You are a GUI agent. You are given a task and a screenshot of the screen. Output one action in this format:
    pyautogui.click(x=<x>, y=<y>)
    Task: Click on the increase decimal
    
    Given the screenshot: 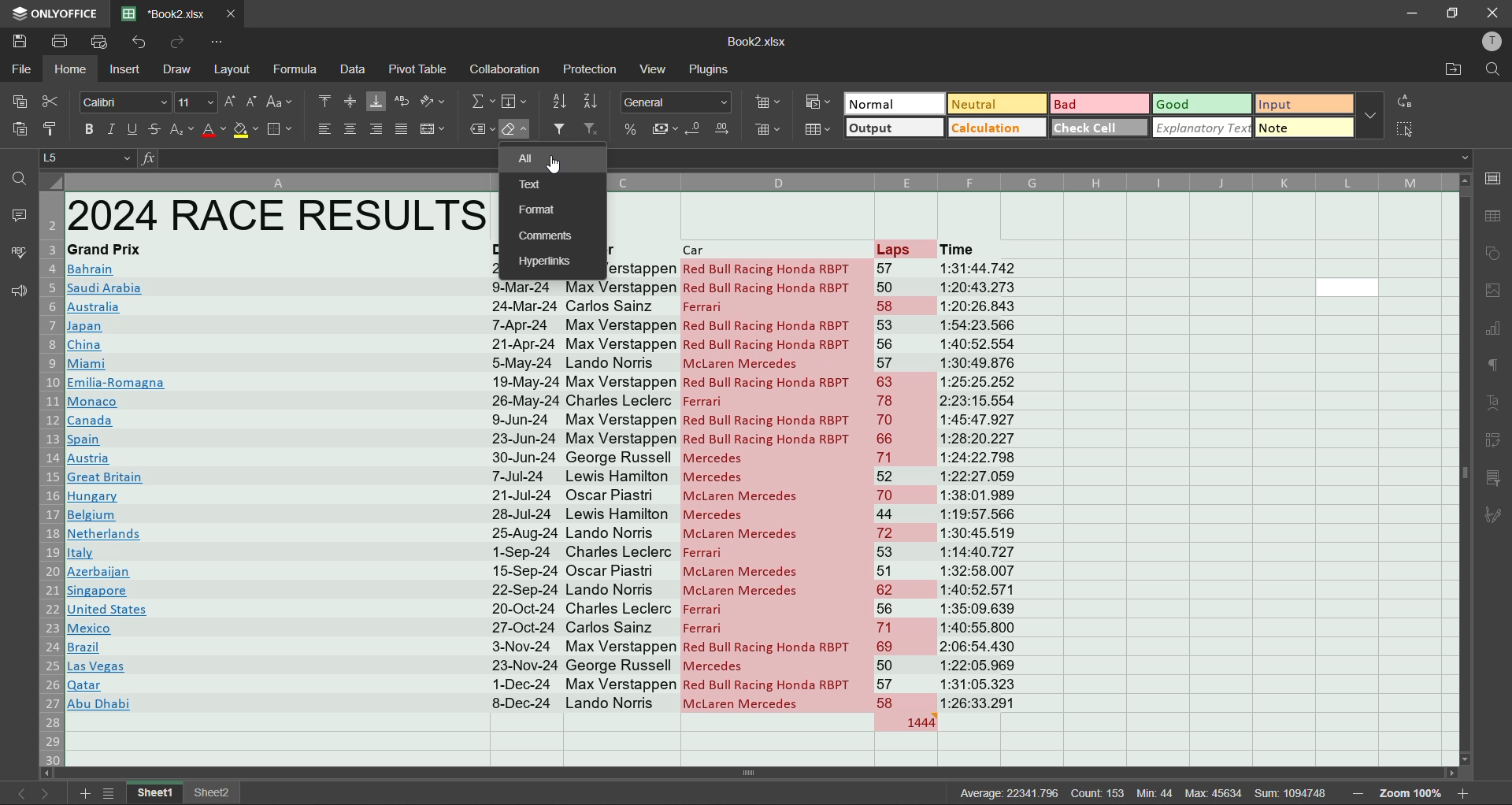 What is the action you would take?
    pyautogui.click(x=724, y=132)
    